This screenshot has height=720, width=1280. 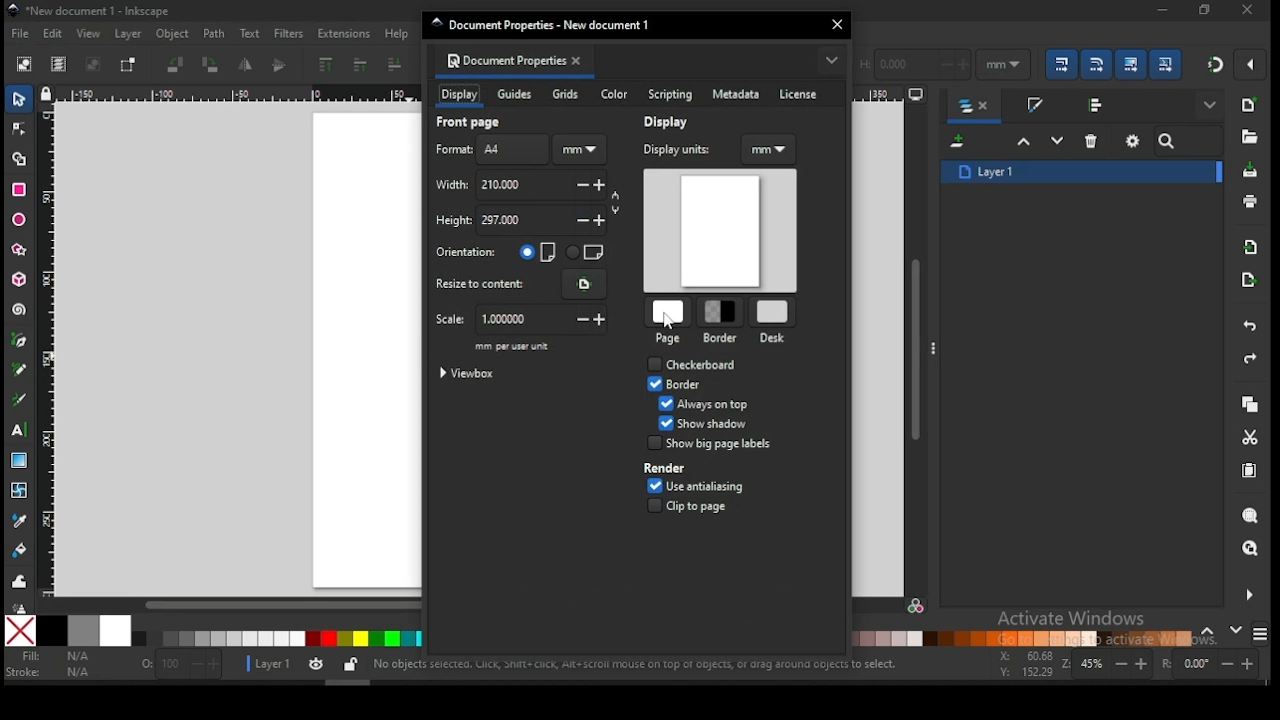 I want to click on display, so click(x=459, y=95).